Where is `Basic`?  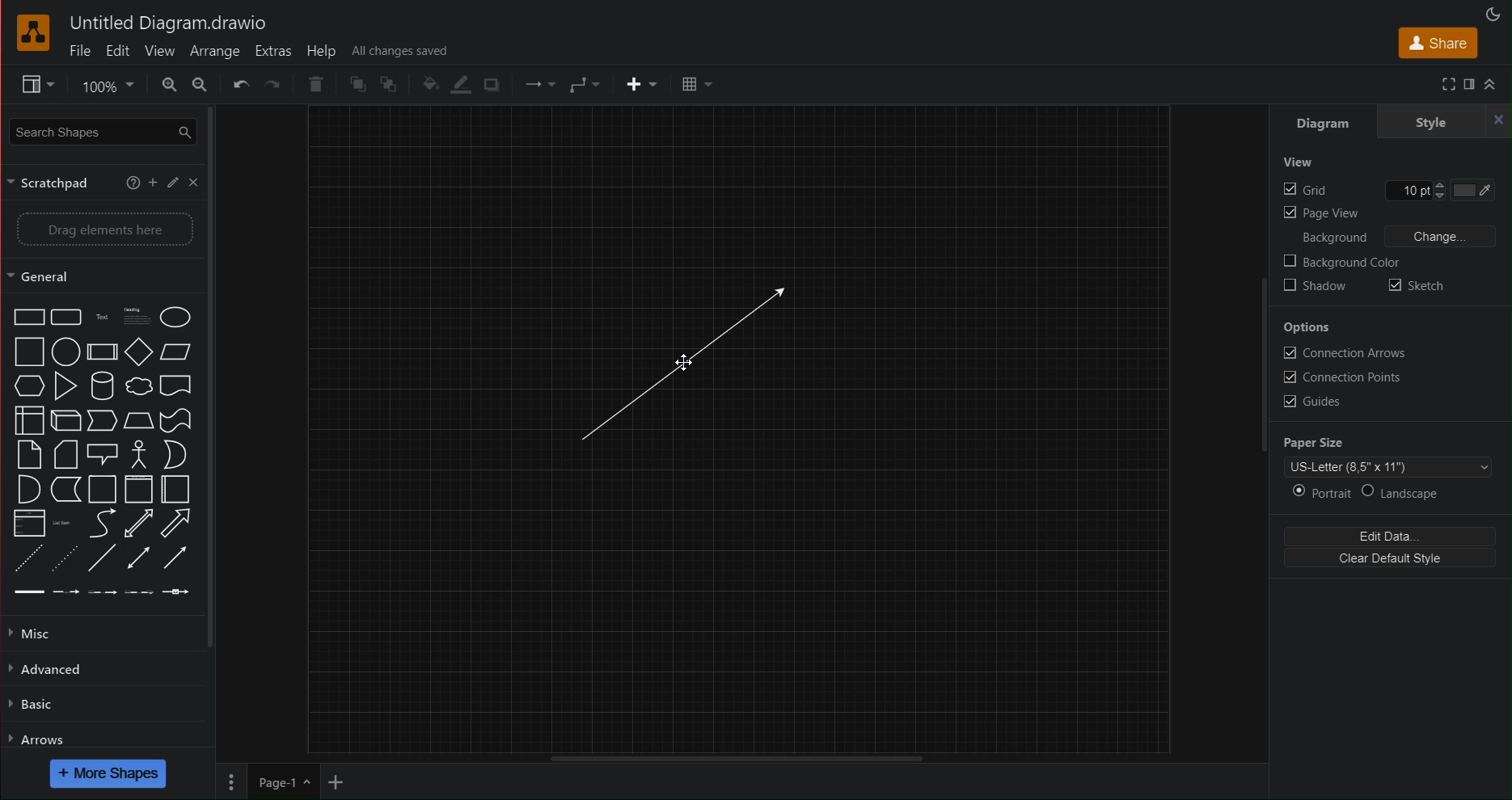
Basic is located at coordinates (32, 706).